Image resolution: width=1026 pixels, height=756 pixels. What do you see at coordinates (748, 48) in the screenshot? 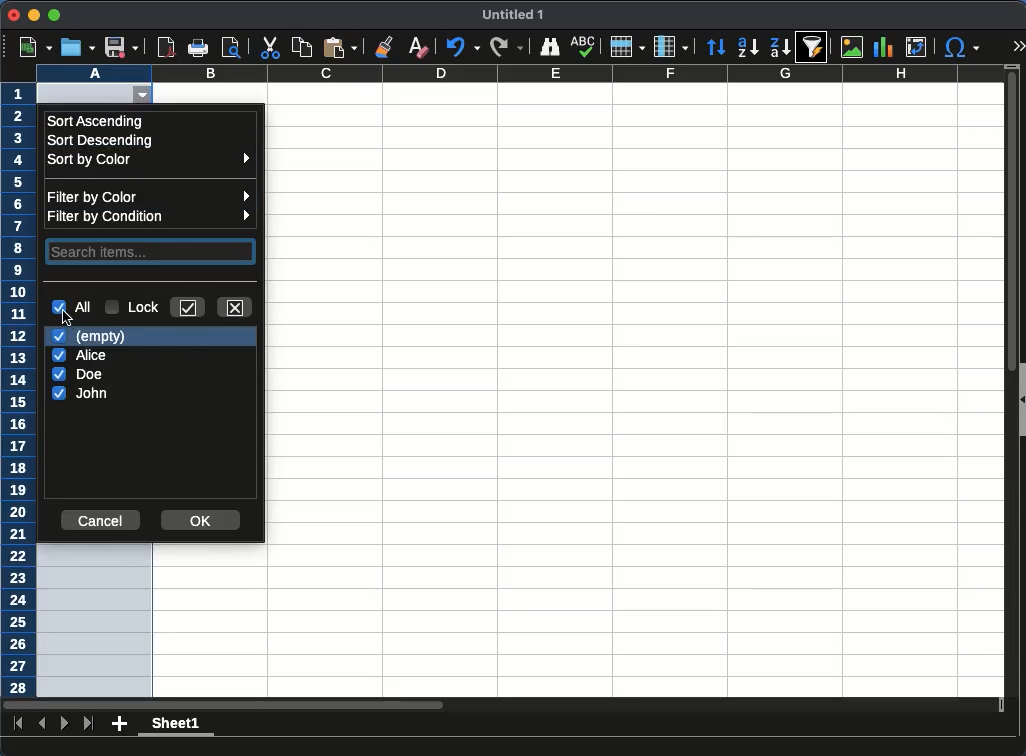
I see `ascending` at bounding box center [748, 48].